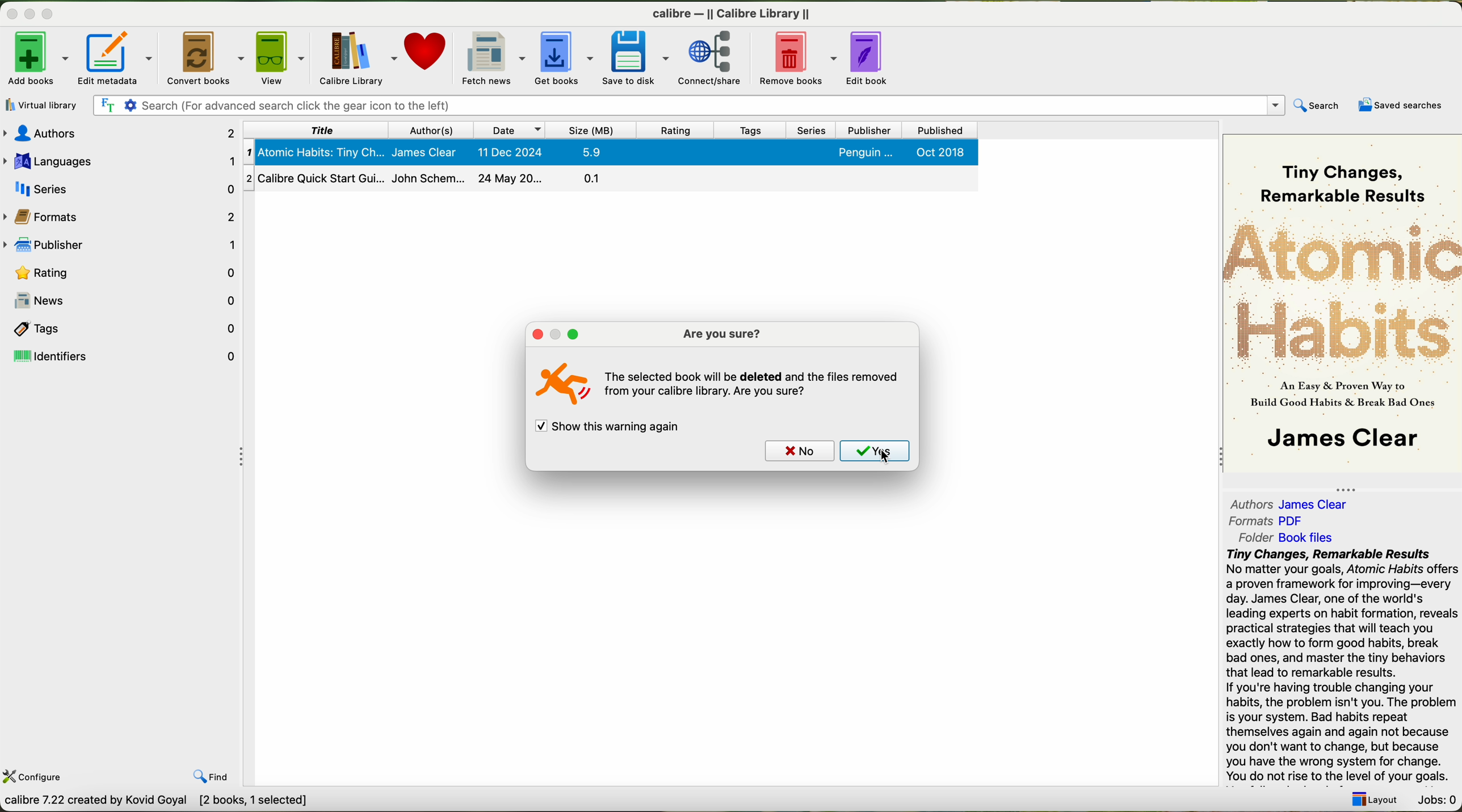 This screenshot has height=812, width=1462. I want to click on save to disk, so click(635, 57).